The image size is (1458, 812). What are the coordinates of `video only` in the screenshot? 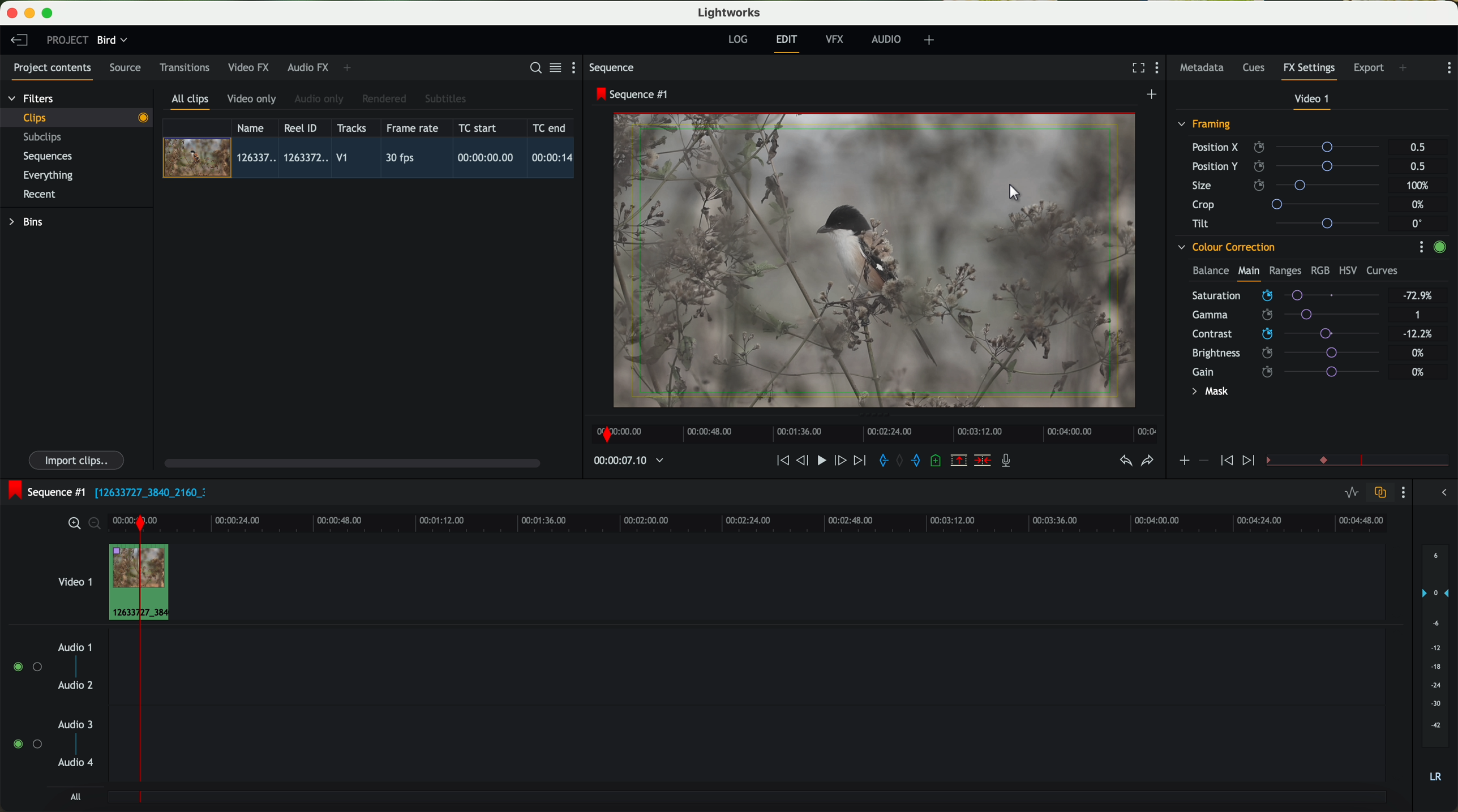 It's located at (251, 100).